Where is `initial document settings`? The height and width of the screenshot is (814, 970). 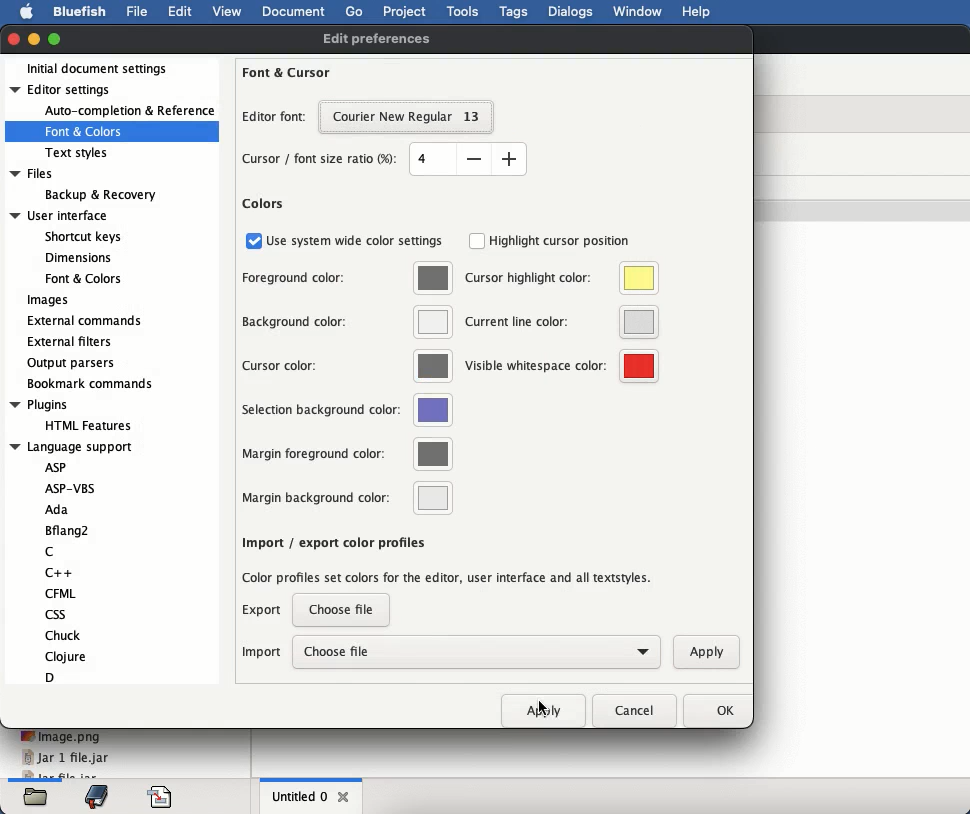
initial document settings is located at coordinates (104, 68).